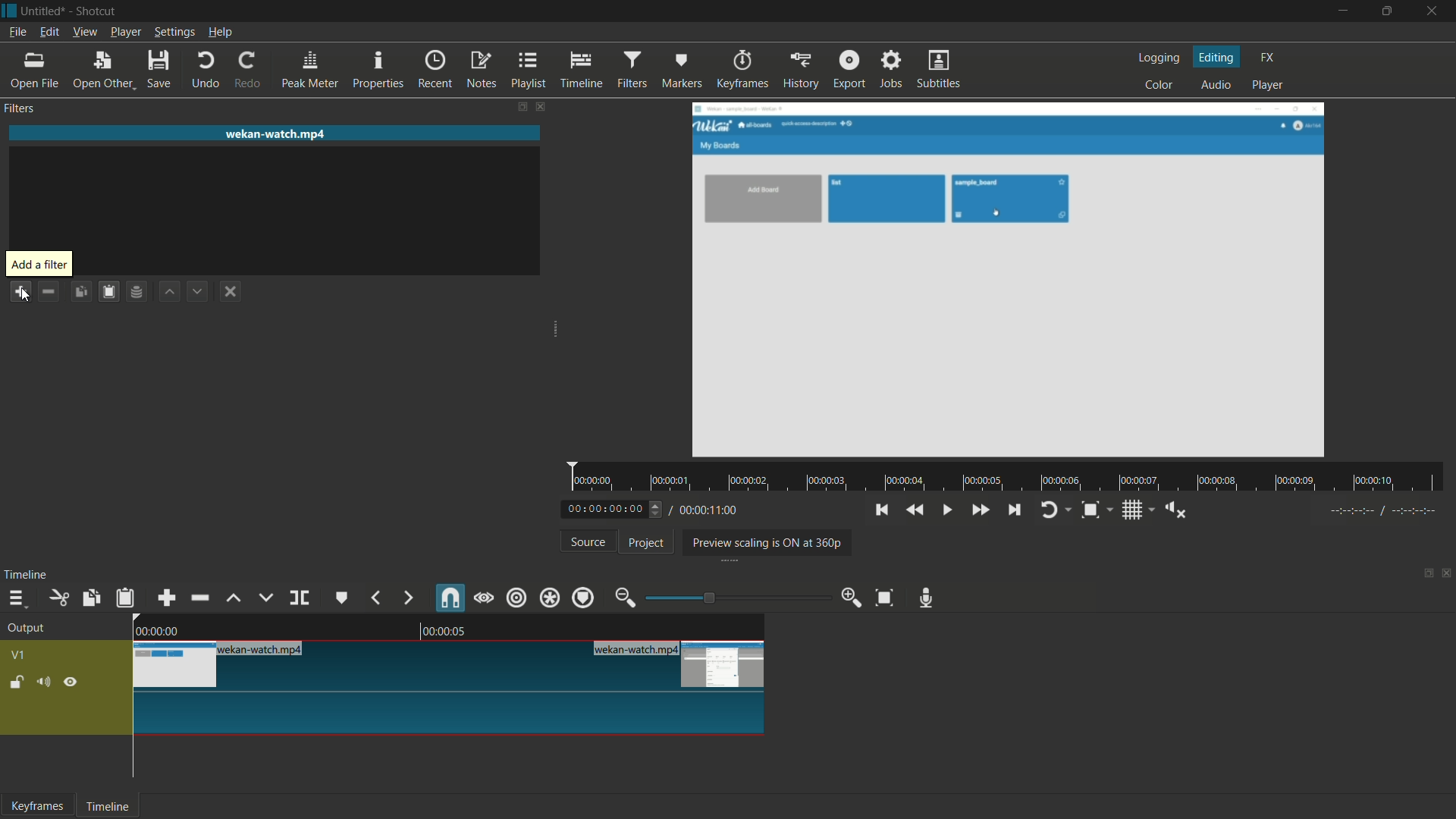  What do you see at coordinates (616, 508) in the screenshot?
I see `current time` at bounding box center [616, 508].